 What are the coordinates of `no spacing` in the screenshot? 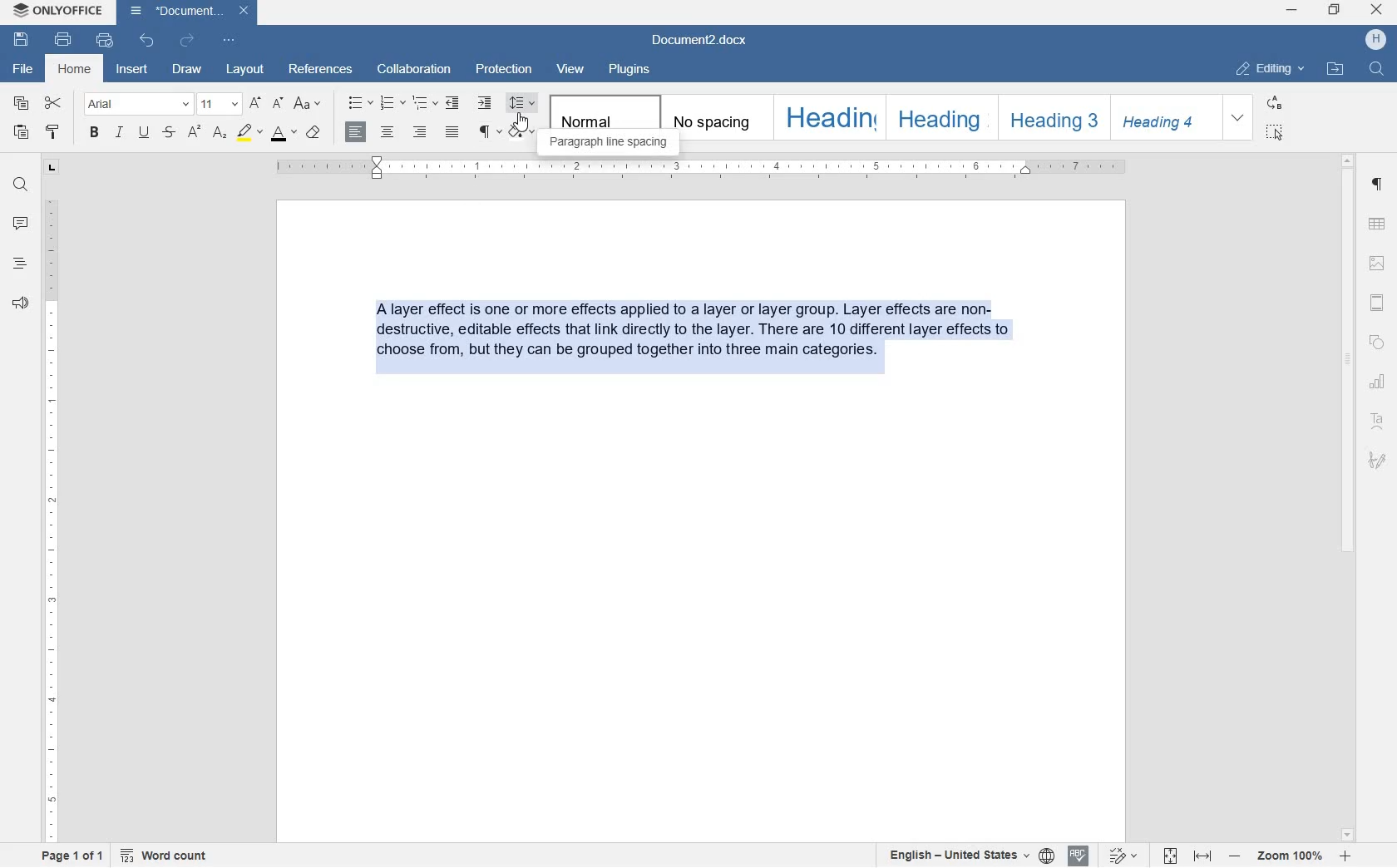 It's located at (714, 113).